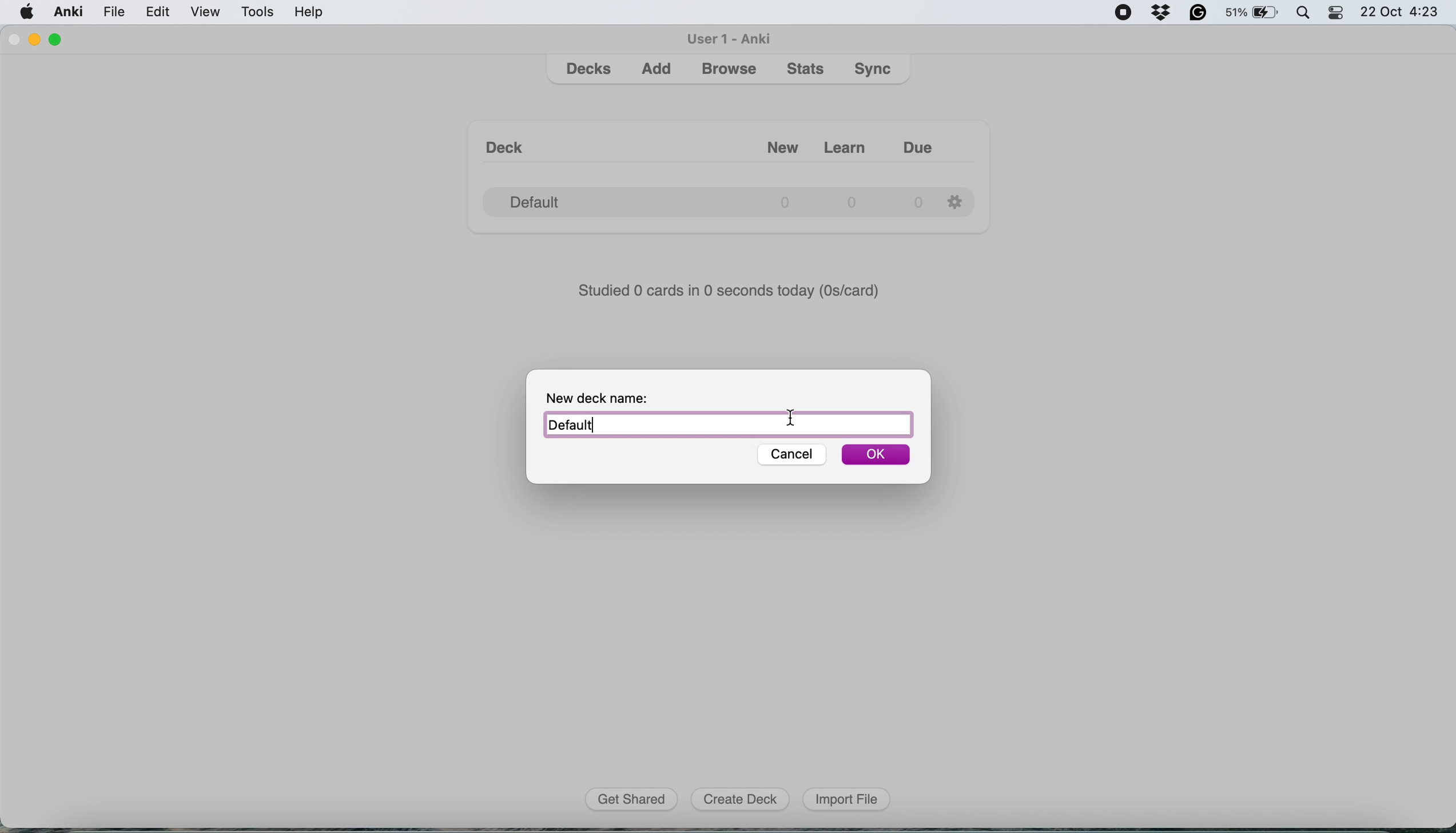 This screenshot has height=833, width=1456. Describe the element at coordinates (69, 13) in the screenshot. I see `anki` at that location.